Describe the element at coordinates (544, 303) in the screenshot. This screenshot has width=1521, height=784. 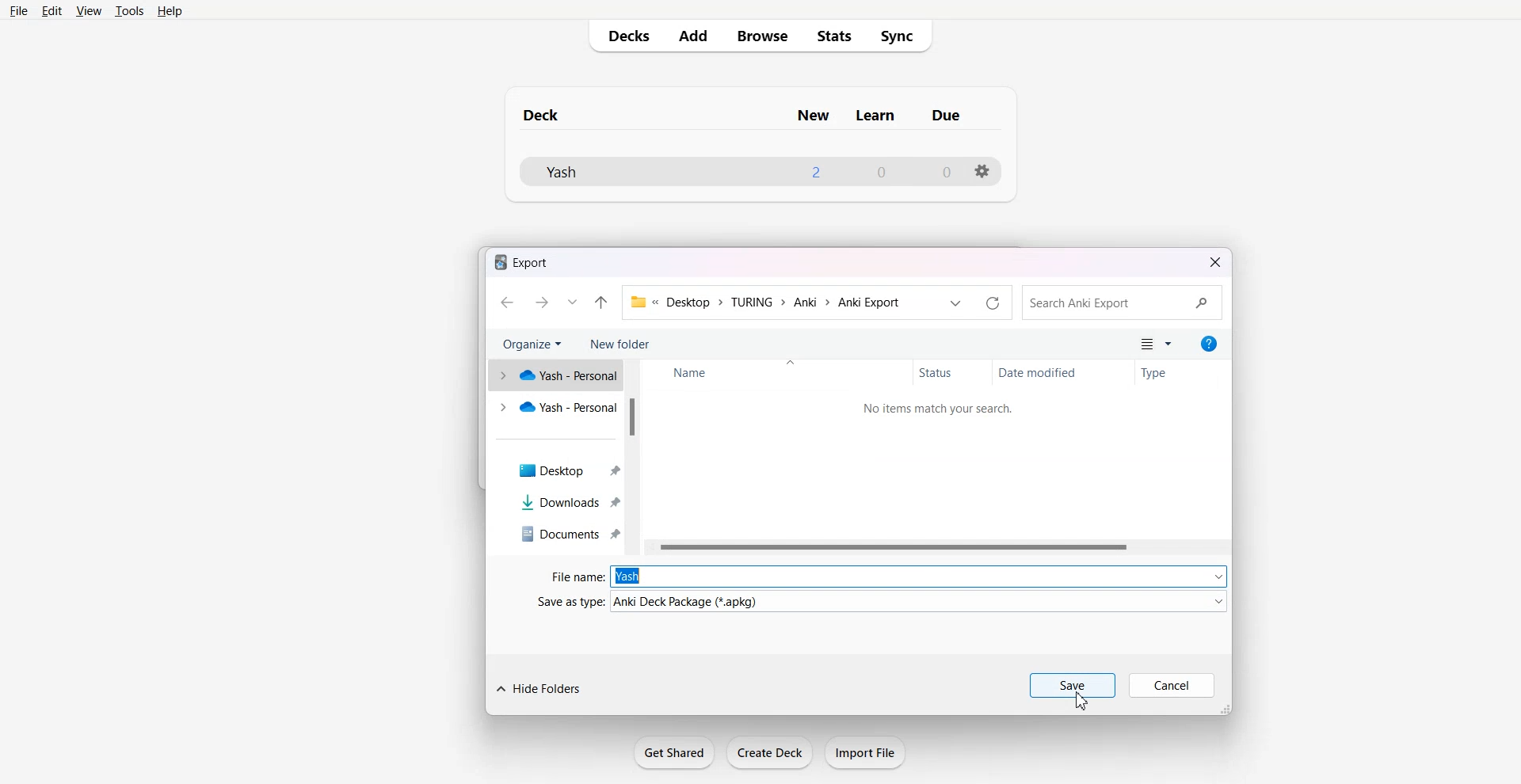
I see `Go Forward` at that location.